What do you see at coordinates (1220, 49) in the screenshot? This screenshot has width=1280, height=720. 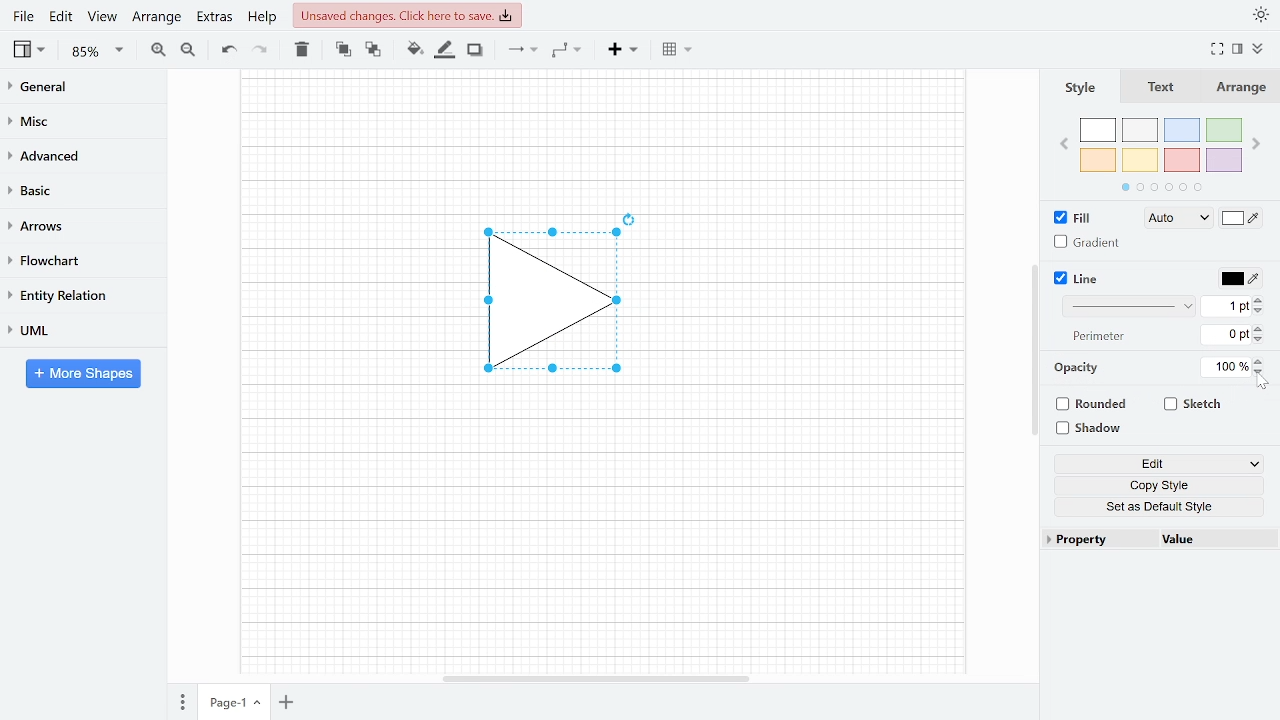 I see `Fullscreen` at bounding box center [1220, 49].